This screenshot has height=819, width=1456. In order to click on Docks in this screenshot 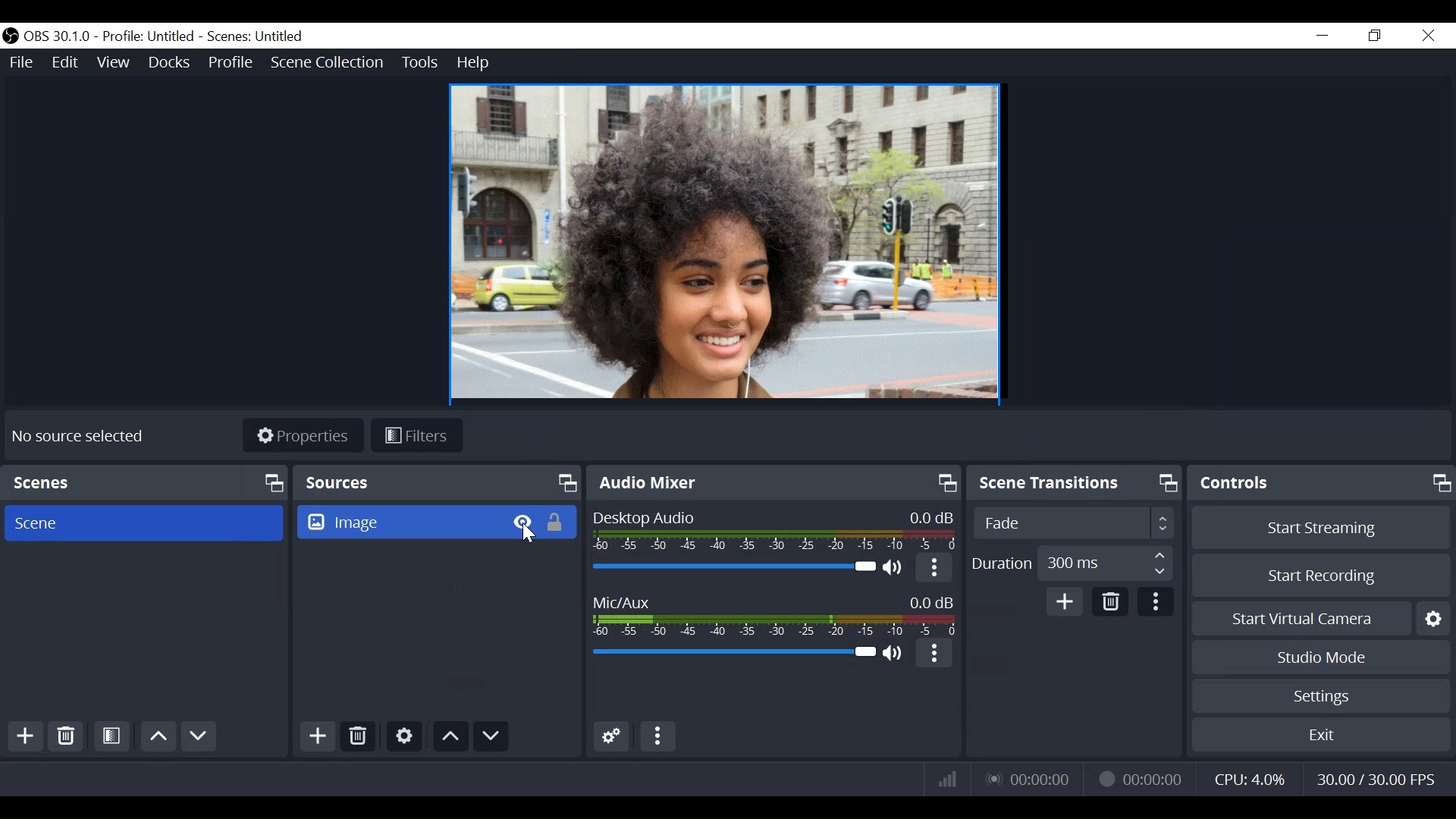, I will do `click(170, 61)`.